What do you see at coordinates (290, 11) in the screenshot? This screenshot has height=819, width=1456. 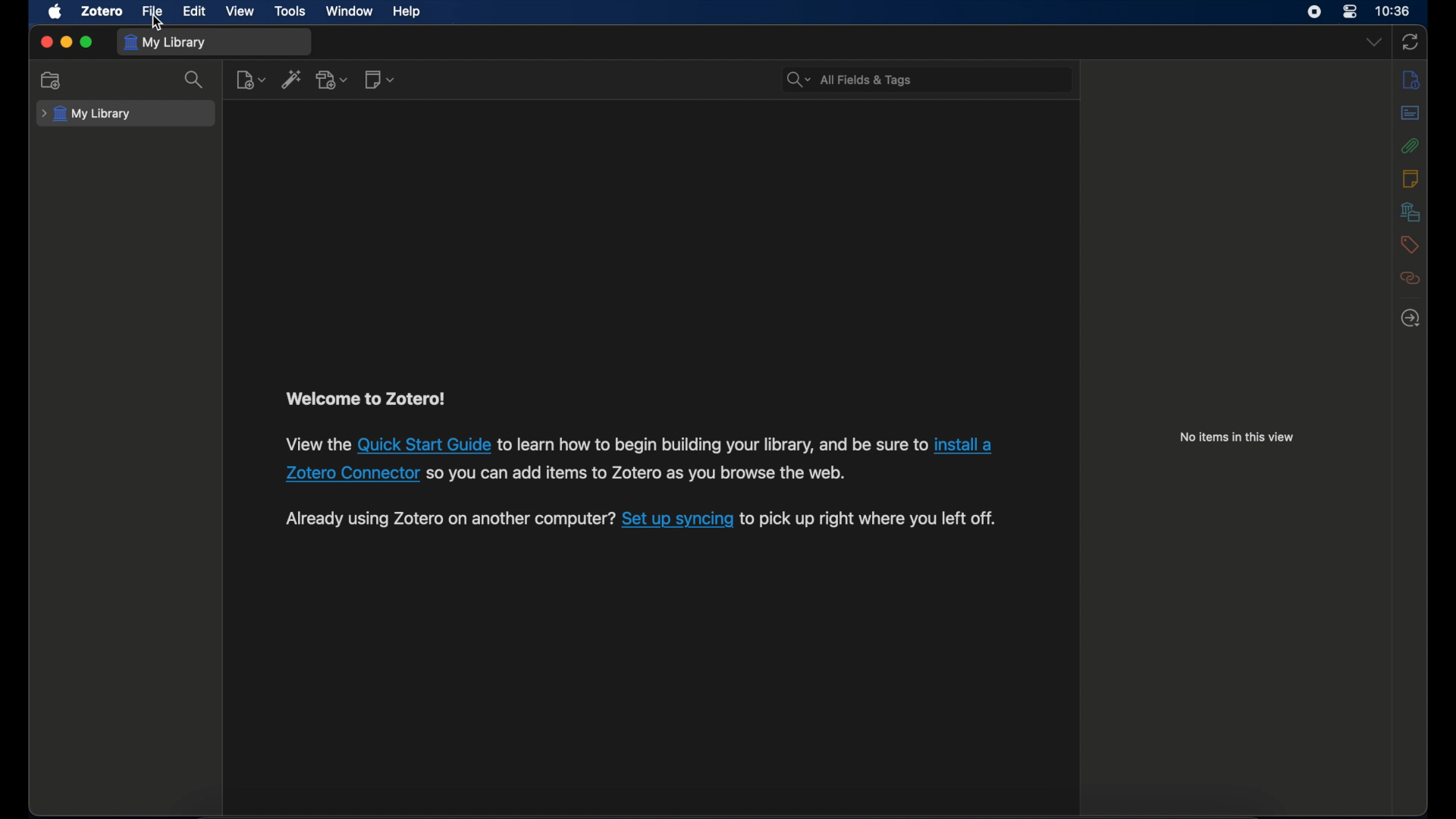 I see `tools` at bounding box center [290, 11].